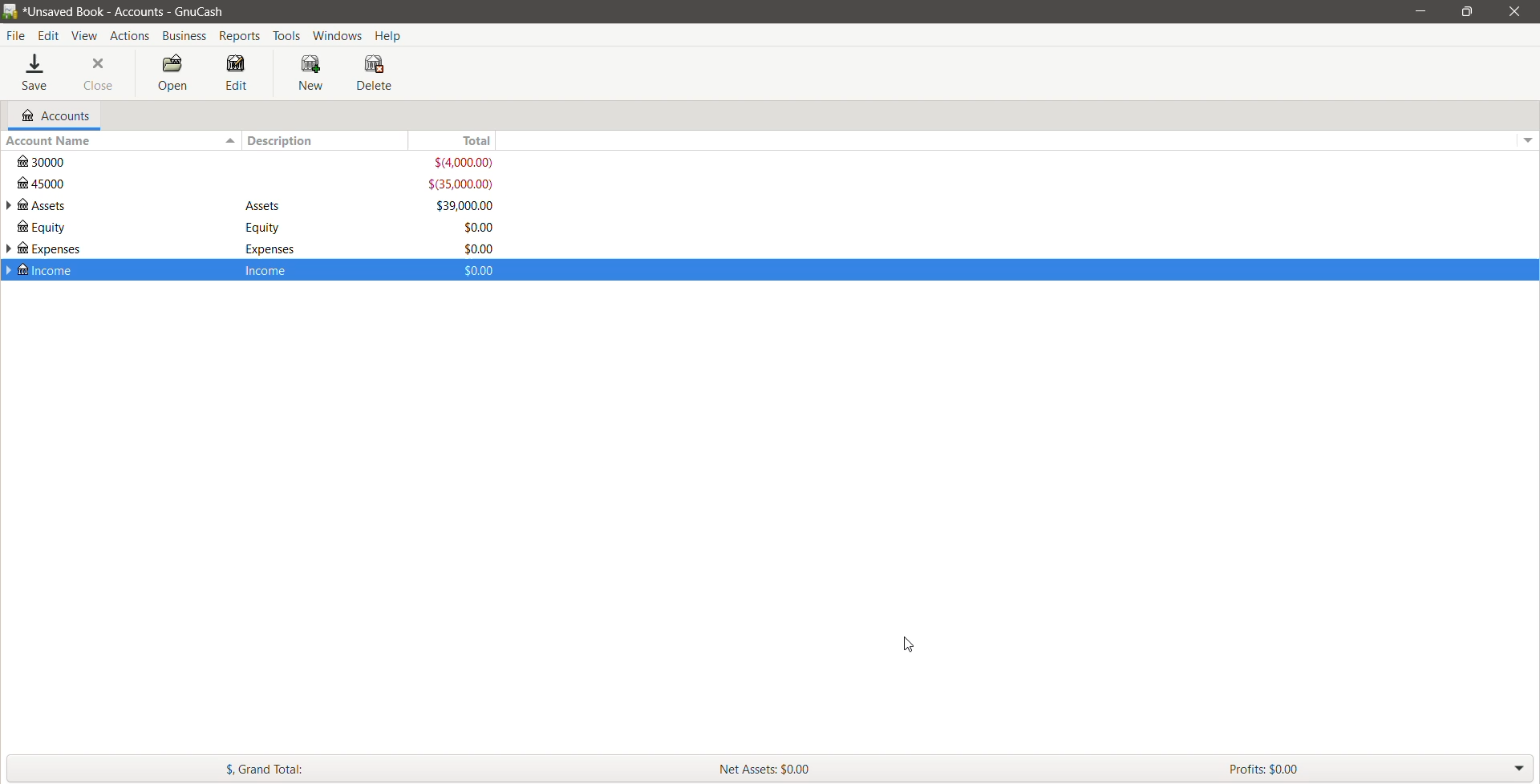 This screenshot has width=1540, height=784. I want to click on details of the account "30000", so click(258, 163).